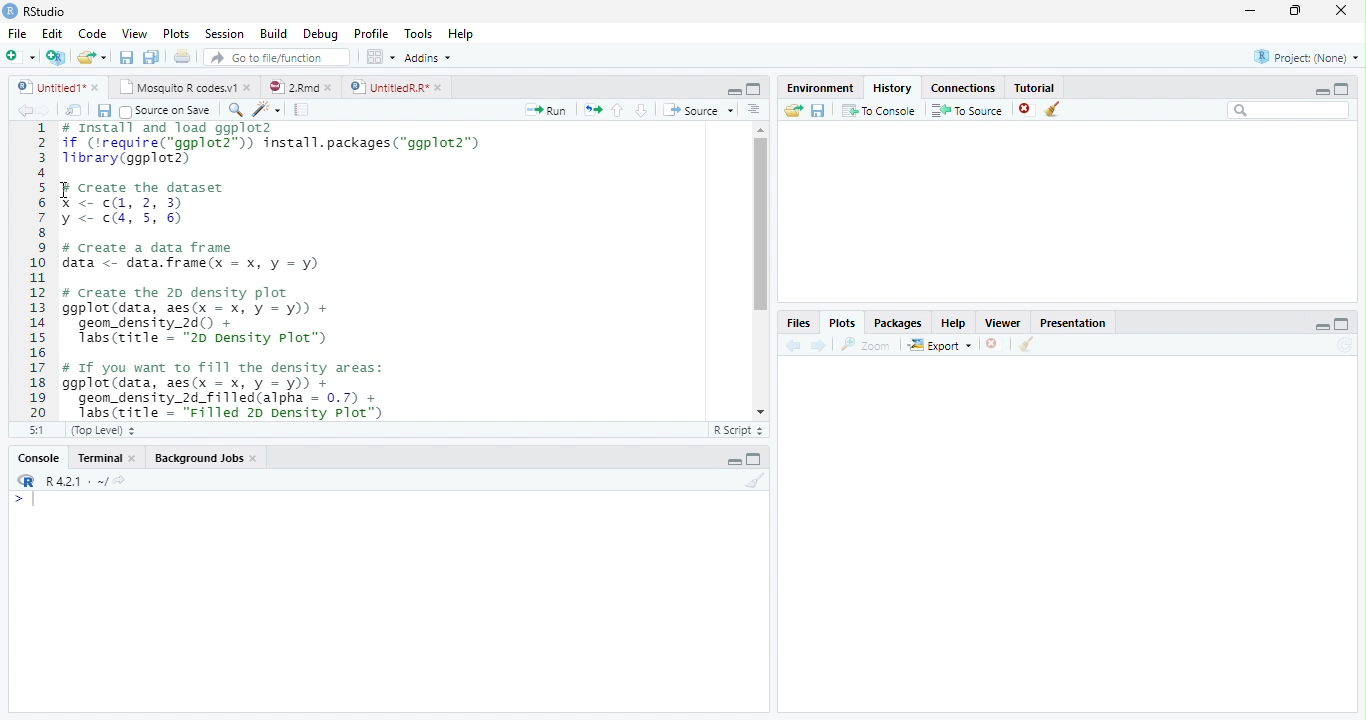 This screenshot has width=1366, height=720. I want to click on Source, so click(698, 110).